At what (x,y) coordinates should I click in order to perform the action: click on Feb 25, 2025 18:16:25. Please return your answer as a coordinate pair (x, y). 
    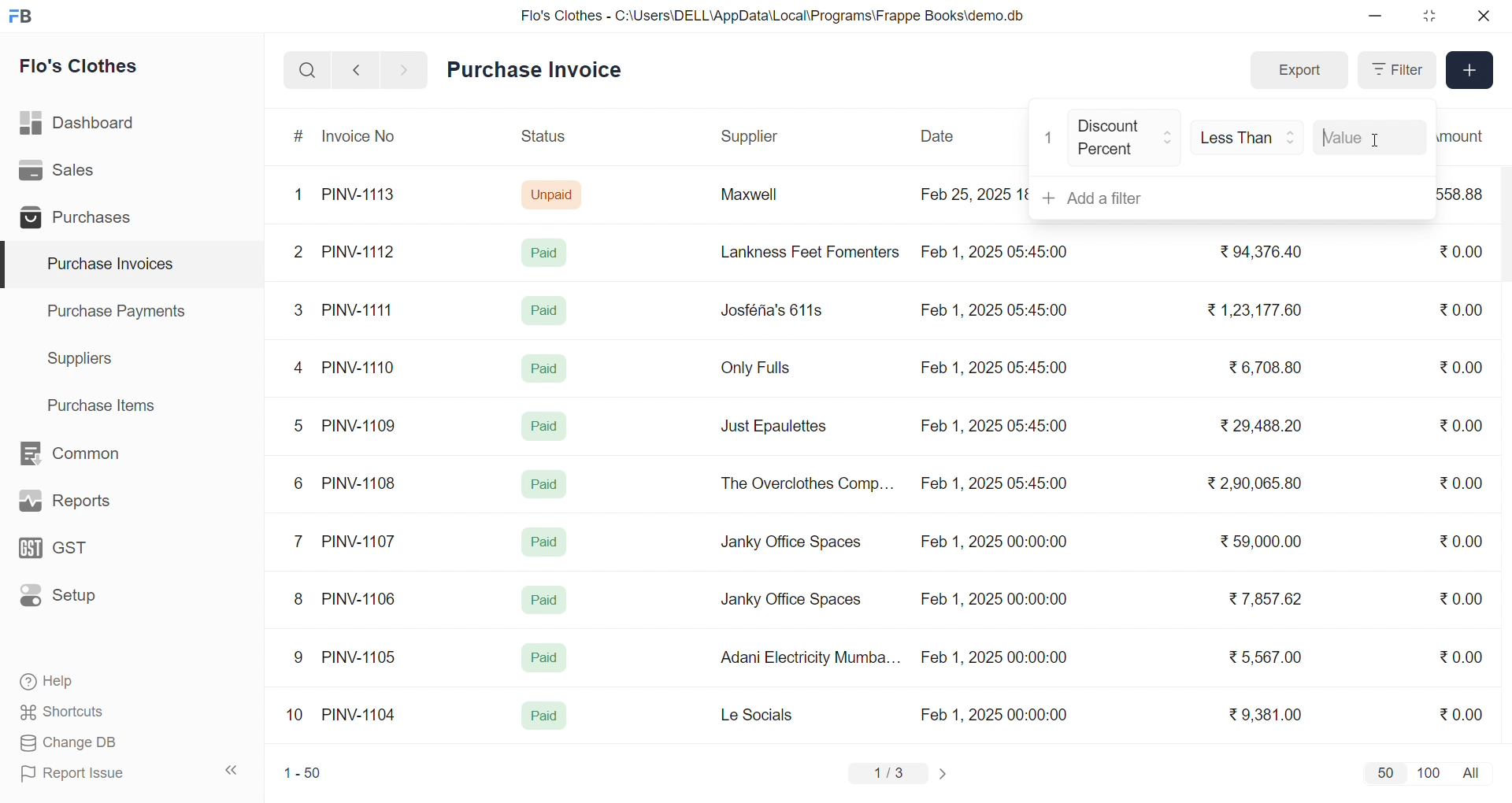
    Looking at the image, I should click on (972, 194).